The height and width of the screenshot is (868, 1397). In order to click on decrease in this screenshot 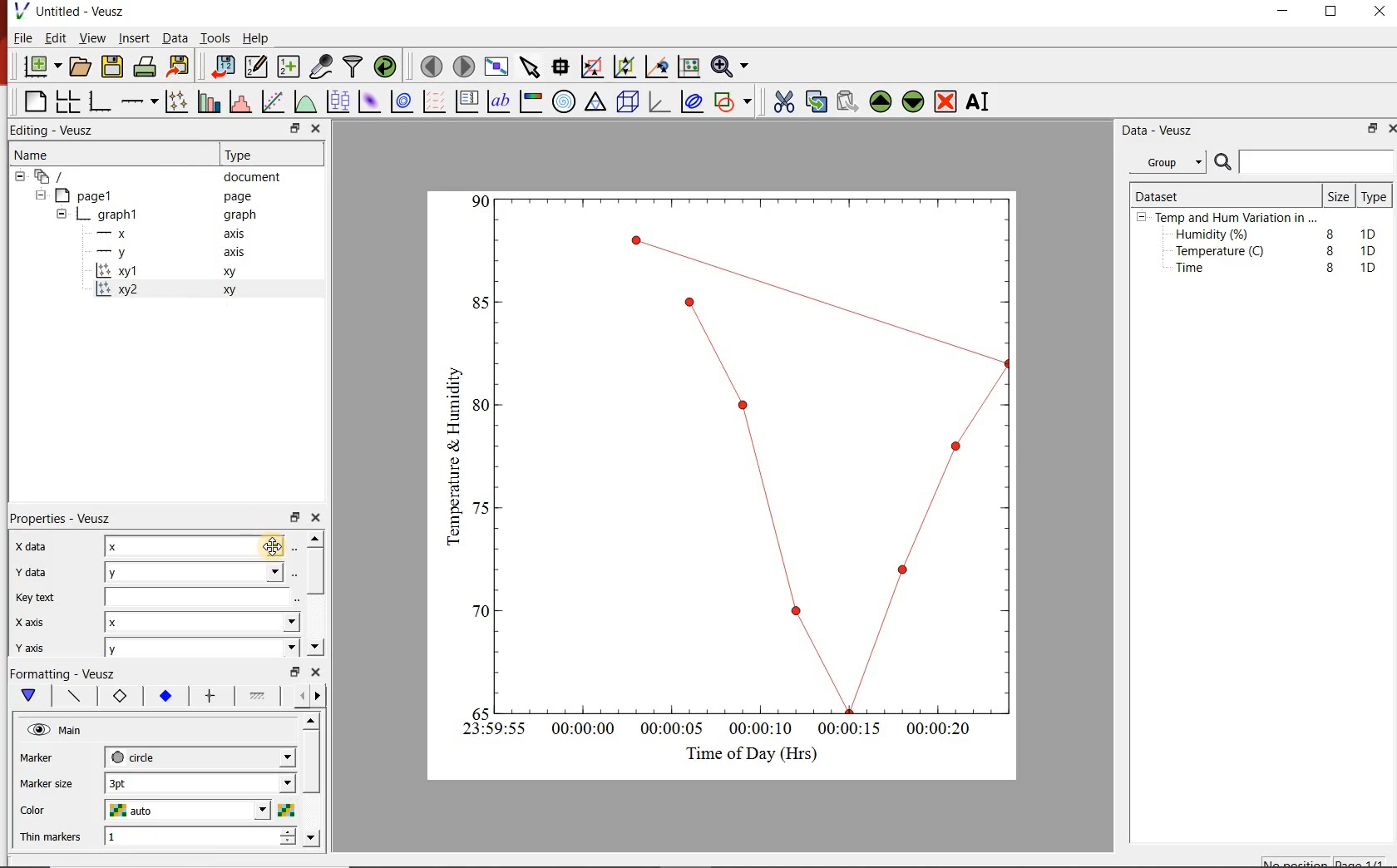, I will do `click(287, 846)`.